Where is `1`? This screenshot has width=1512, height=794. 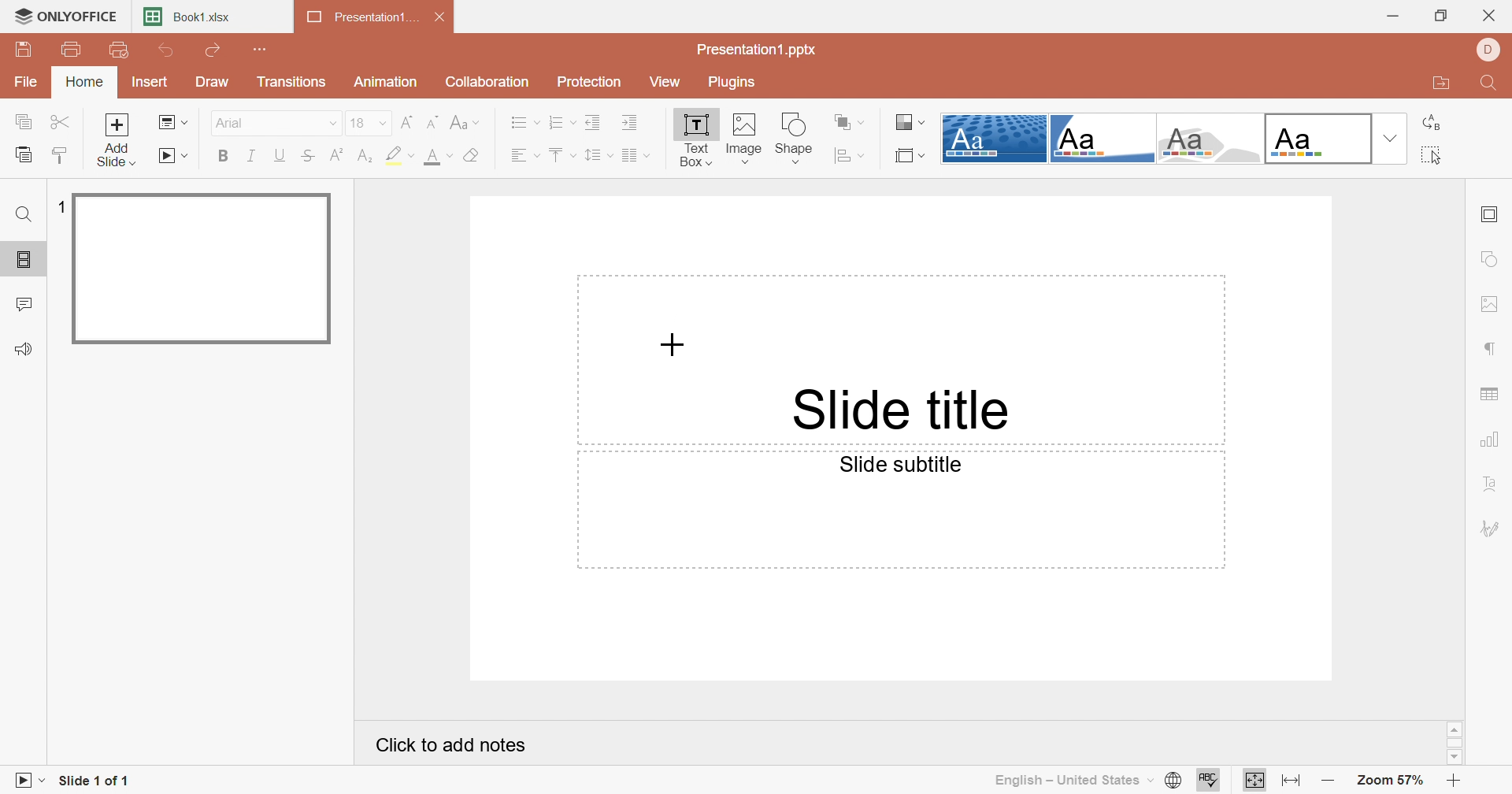
1 is located at coordinates (59, 206).